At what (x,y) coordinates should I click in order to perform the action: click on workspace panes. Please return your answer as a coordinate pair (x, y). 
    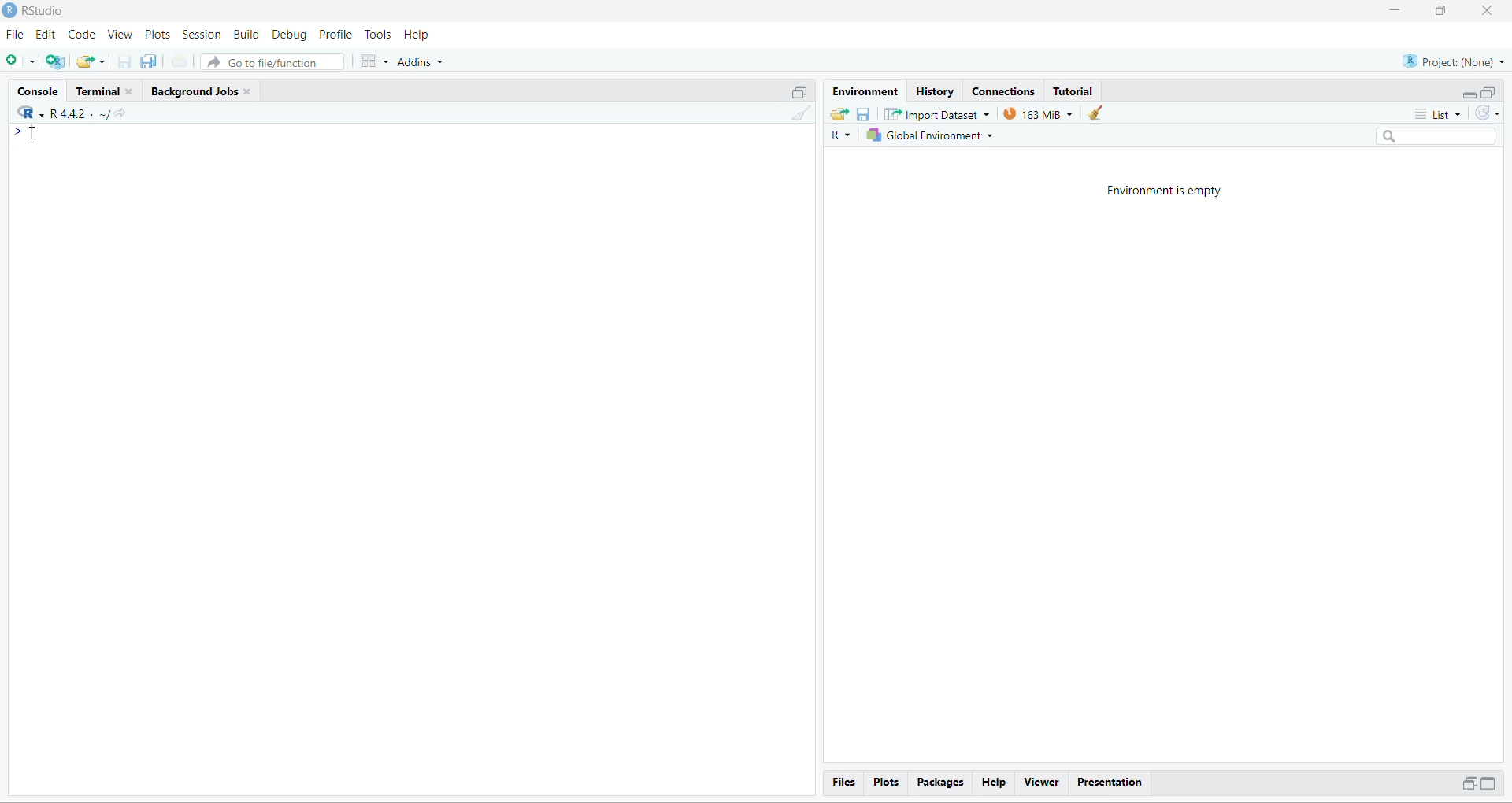
    Looking at the image, I should click on (373, 61).